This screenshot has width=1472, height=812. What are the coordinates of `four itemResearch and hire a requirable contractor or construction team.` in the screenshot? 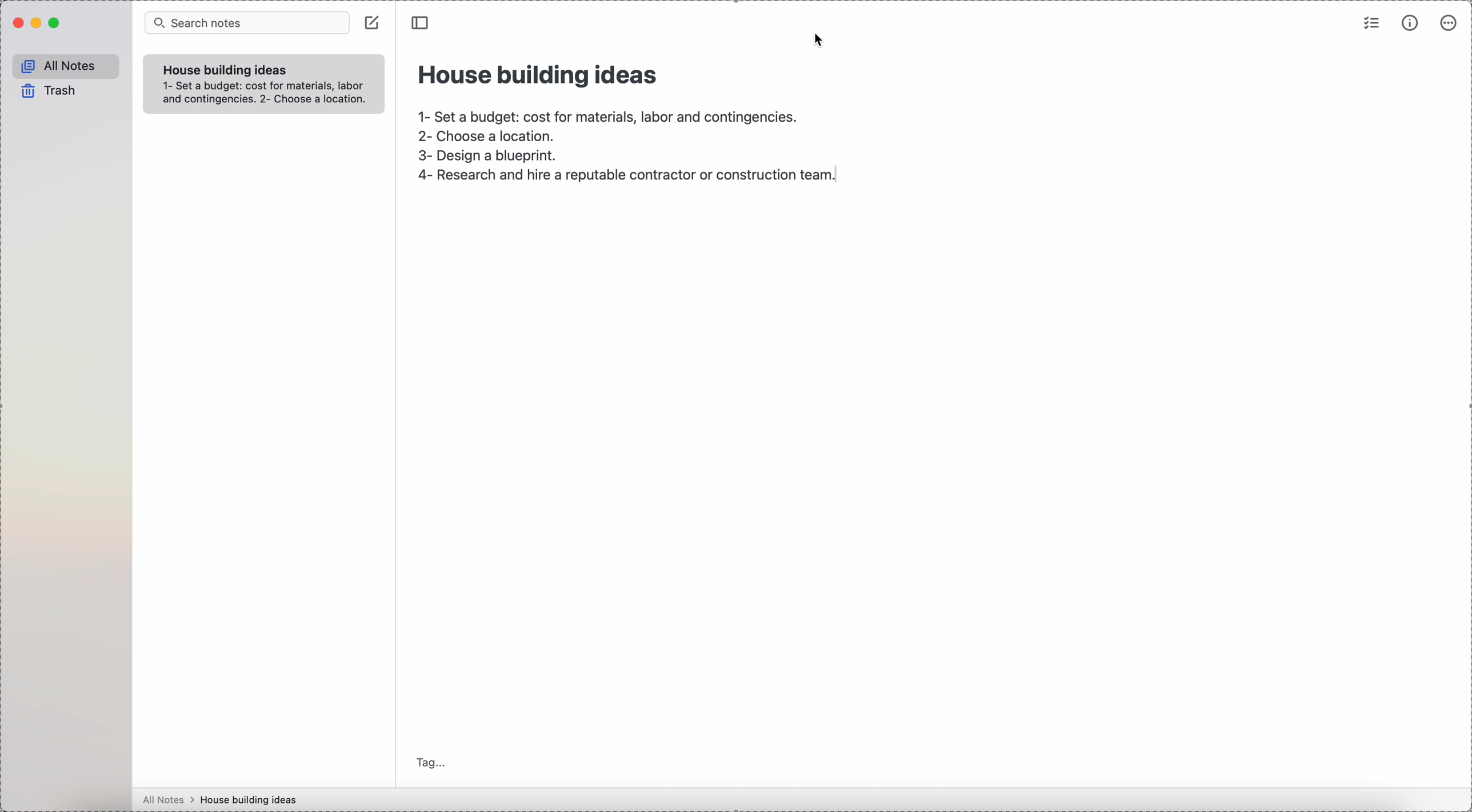 It's located at (633, 176).